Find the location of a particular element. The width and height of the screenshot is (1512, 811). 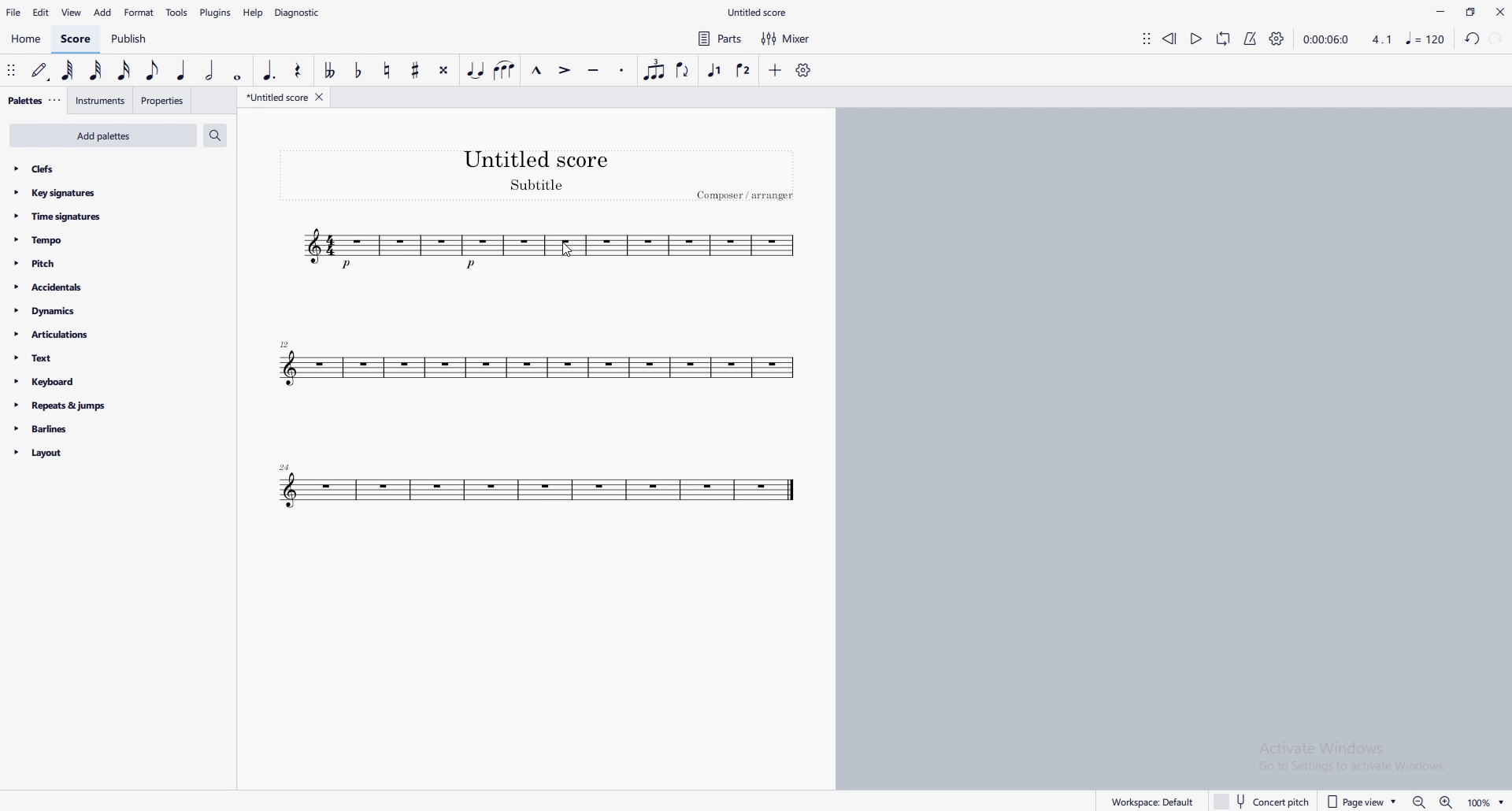

32nd note is located at coordinates (98, 72).